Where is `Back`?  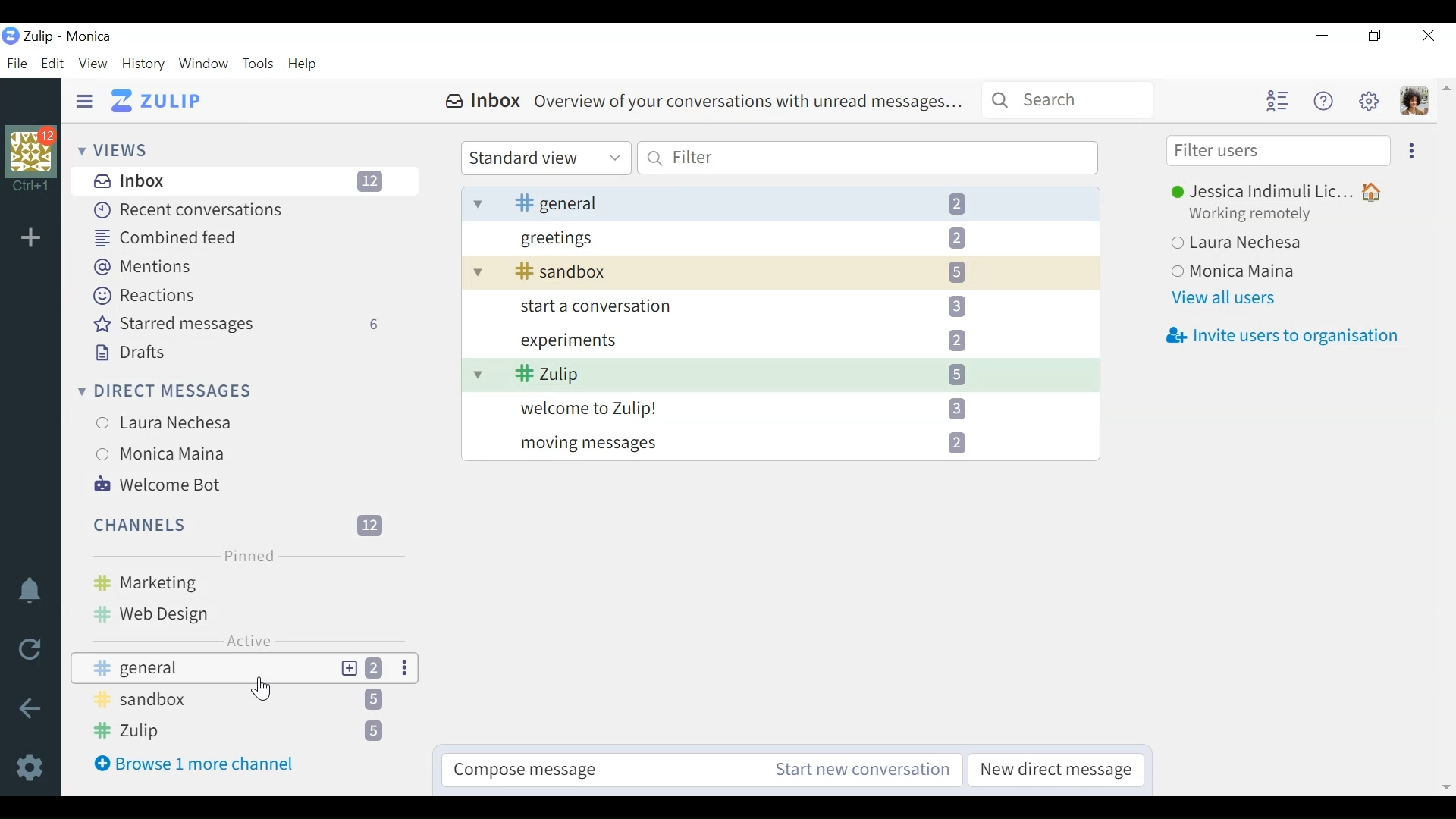 Back is located at coordinates (30, 710).